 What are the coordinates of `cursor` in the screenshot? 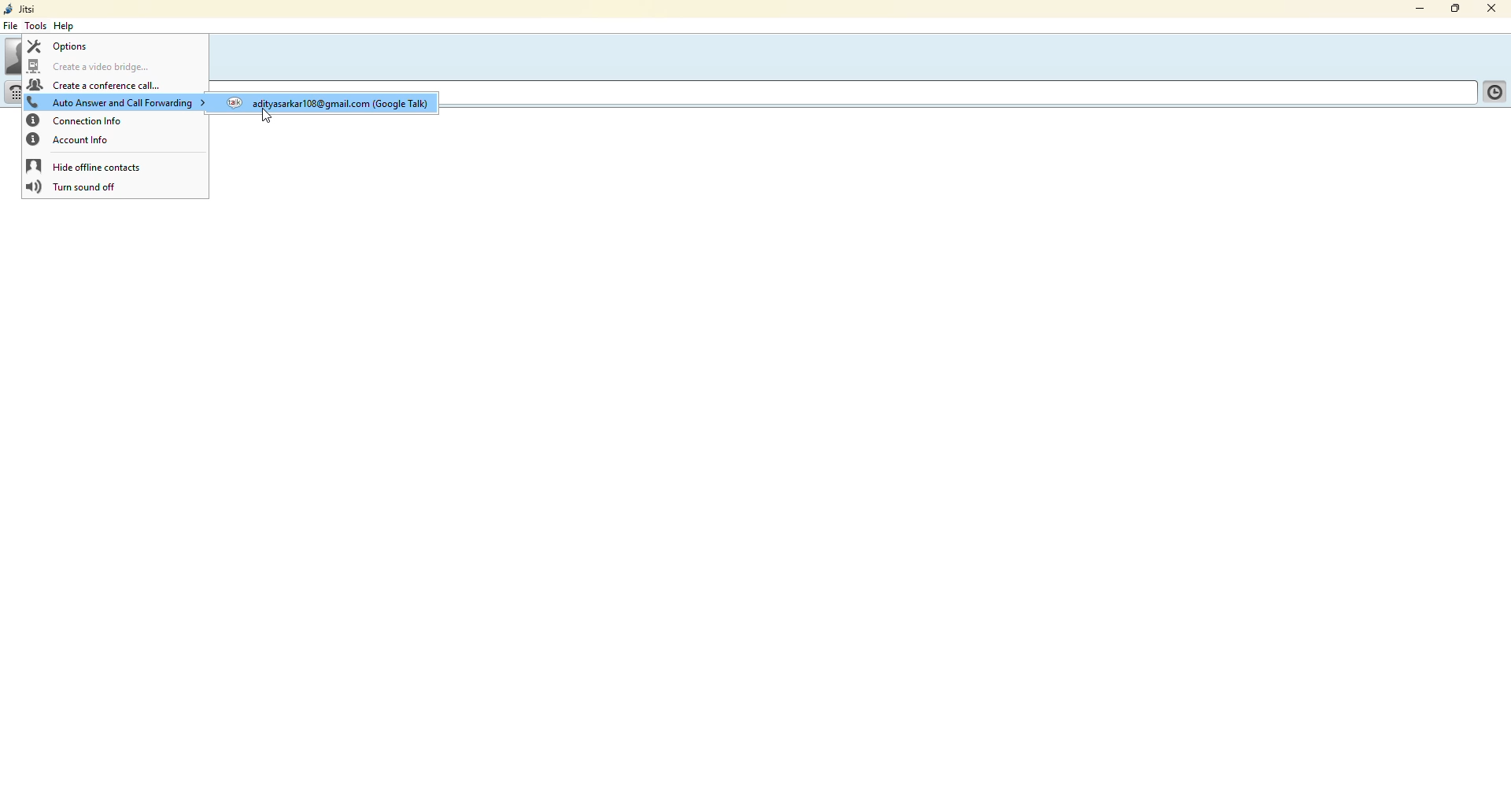 It's located at (275, 114).